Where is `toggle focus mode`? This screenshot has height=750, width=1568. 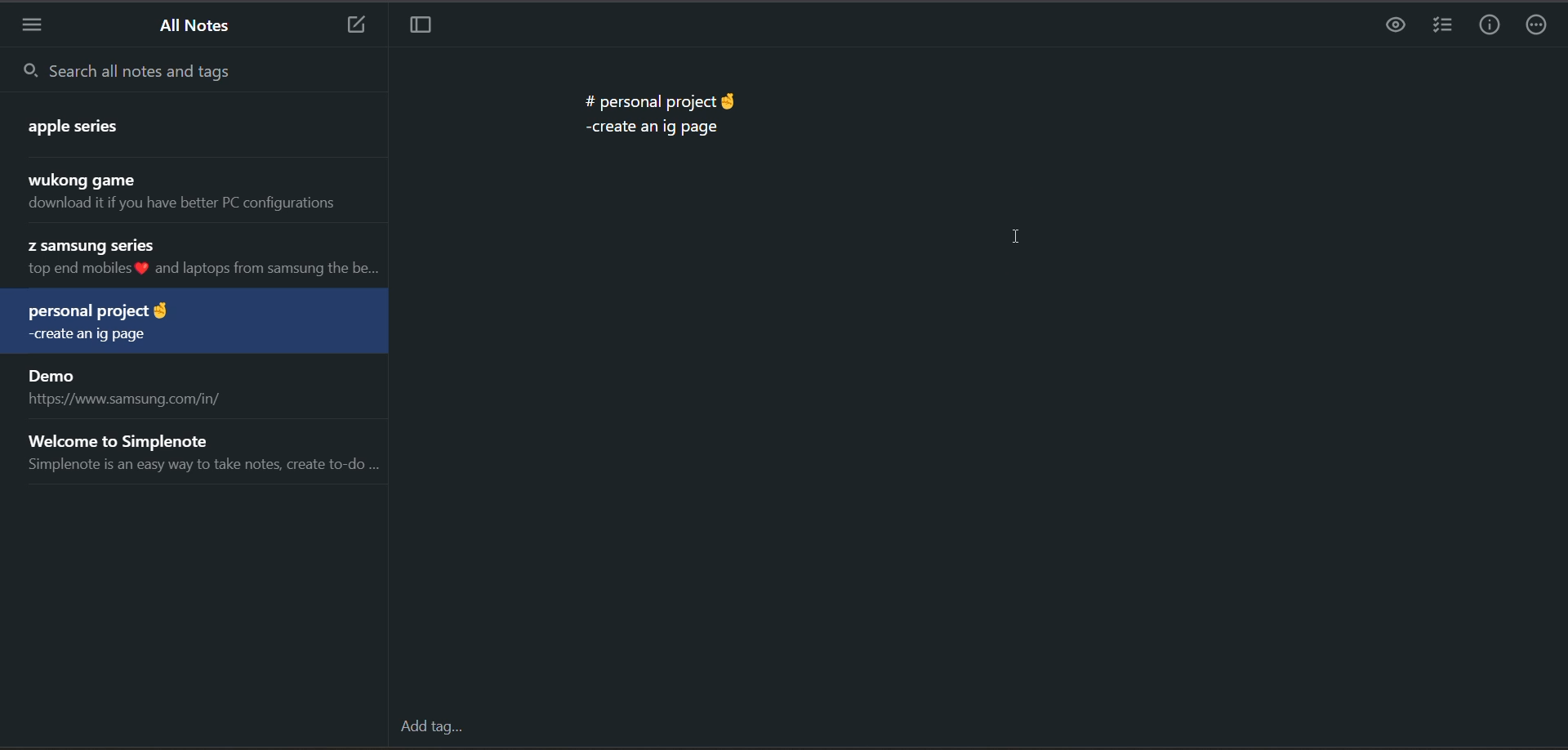
toggle focus mode is located at coordinates (421, 25).